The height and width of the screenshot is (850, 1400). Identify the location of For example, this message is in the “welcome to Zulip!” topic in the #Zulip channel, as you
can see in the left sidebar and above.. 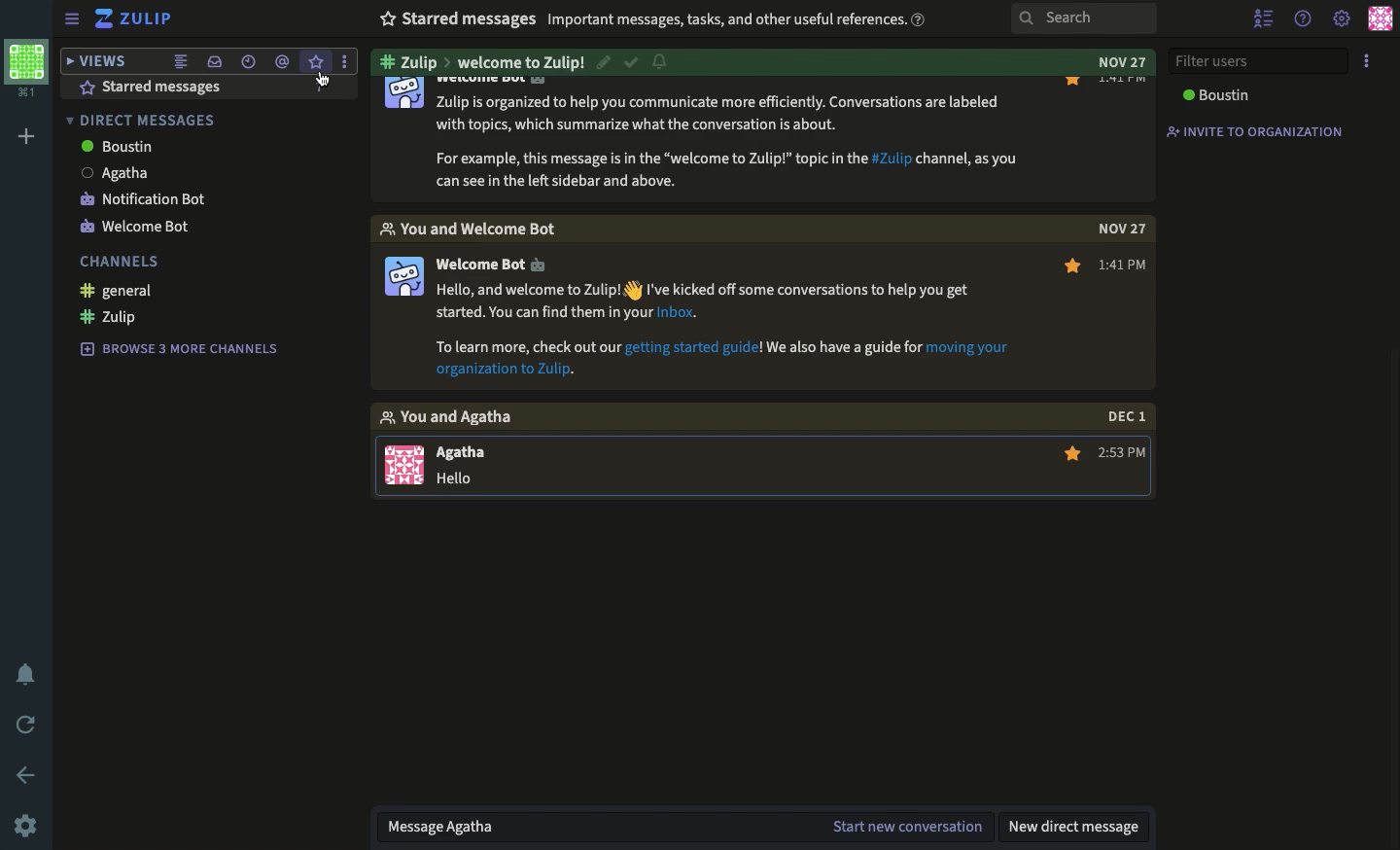
(727, 167).